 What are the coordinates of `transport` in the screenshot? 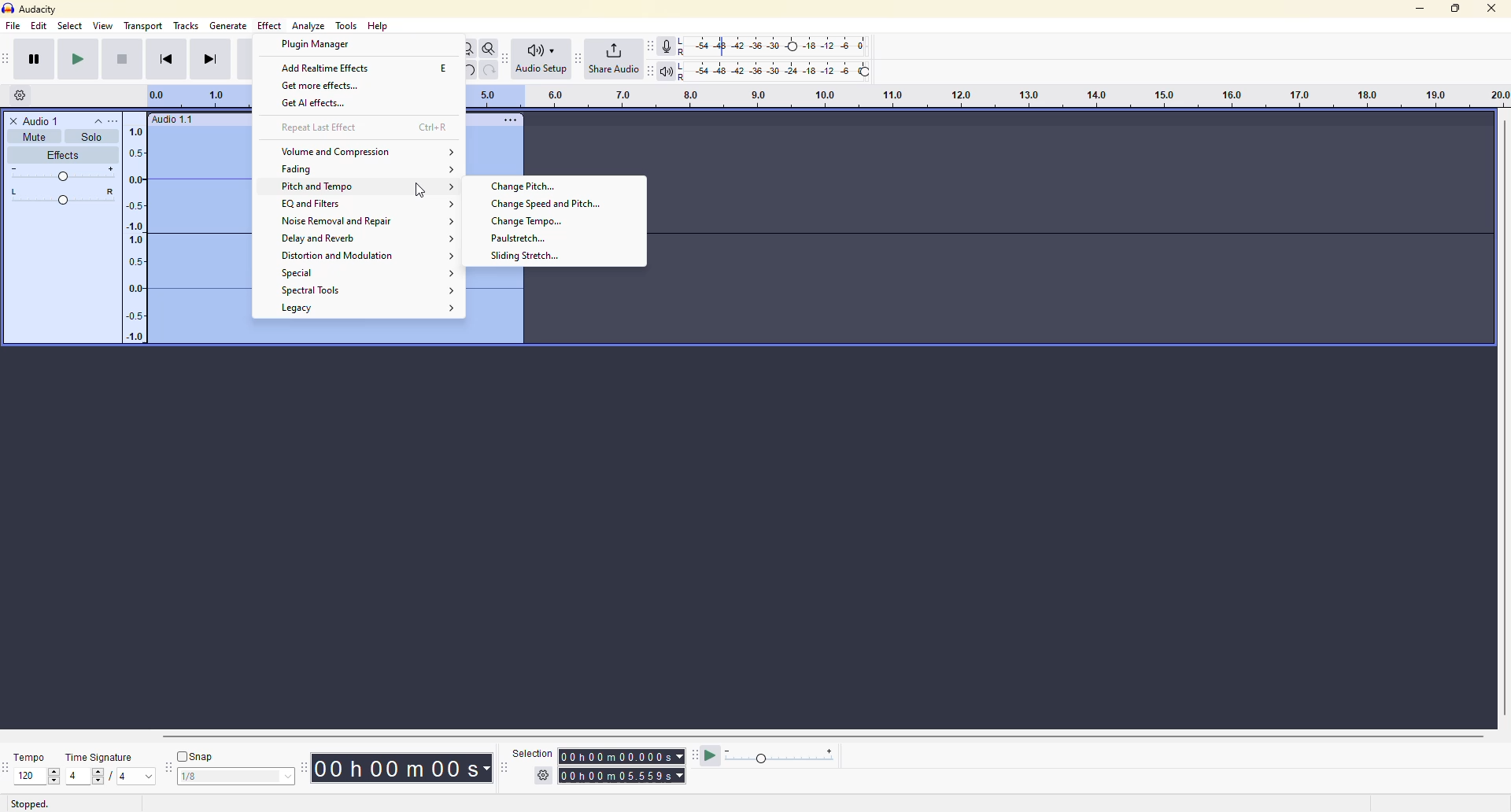 It's located at (144, 25).